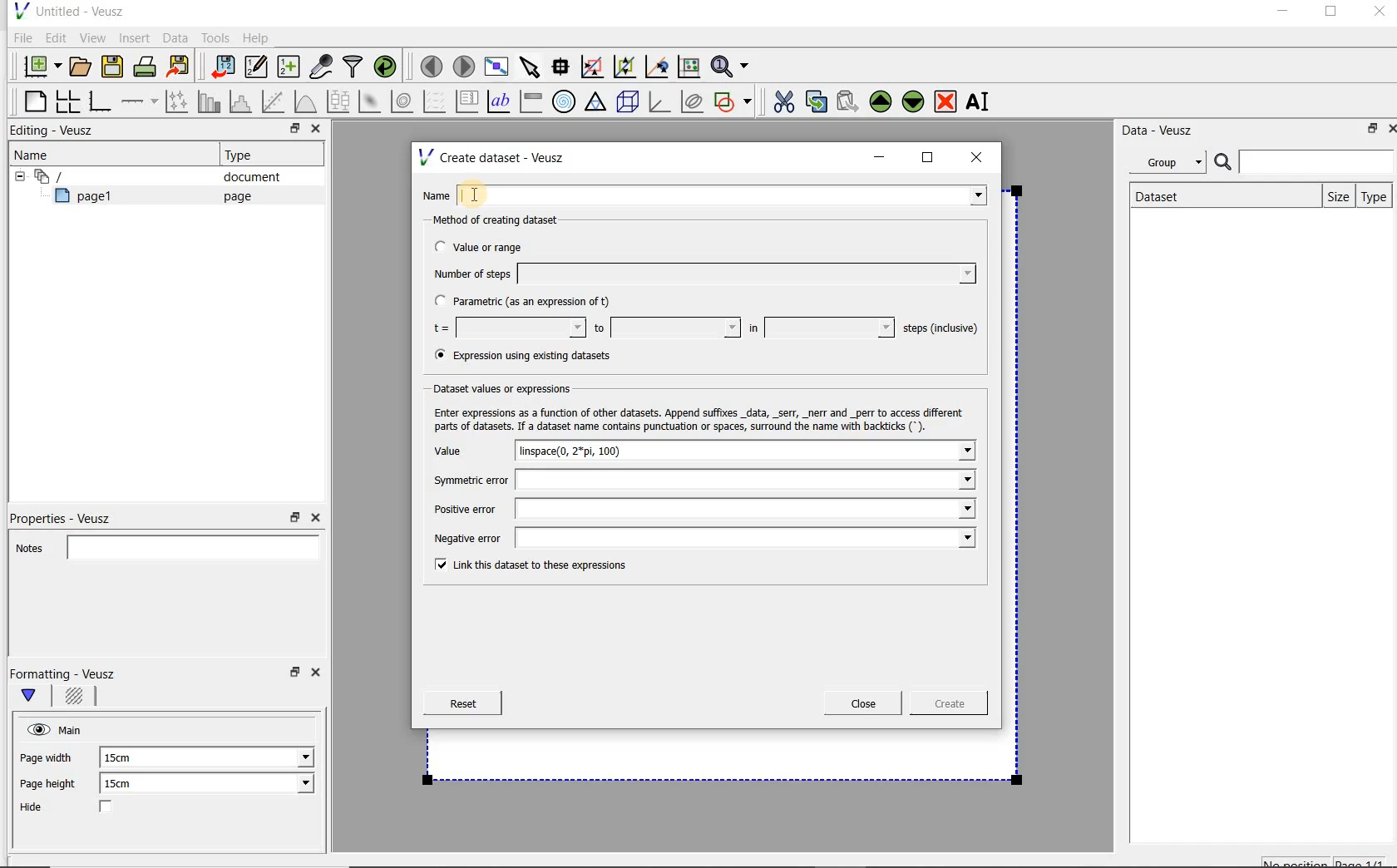 This screenshot has height=868, width=1397. I want to click on Close, so click(1389, 127).